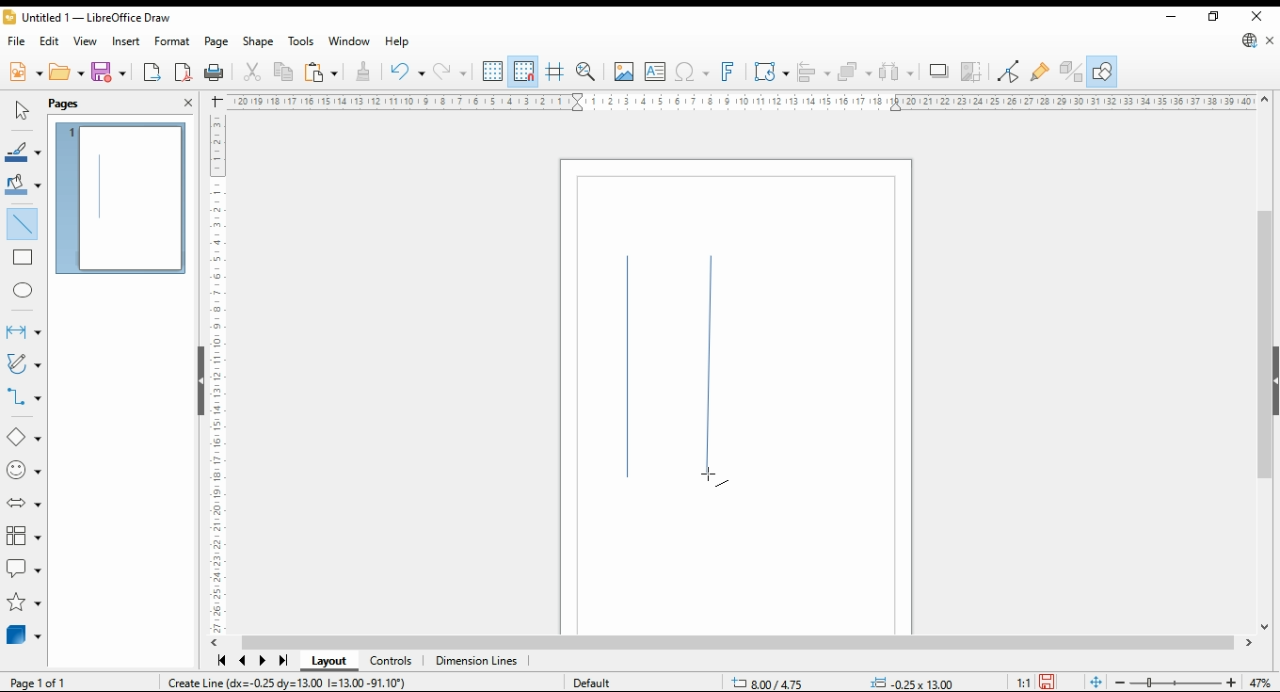  What do you see at coordinates (452, 72) in the screenshot?
I see `undo` at bounding box center [452, 72].